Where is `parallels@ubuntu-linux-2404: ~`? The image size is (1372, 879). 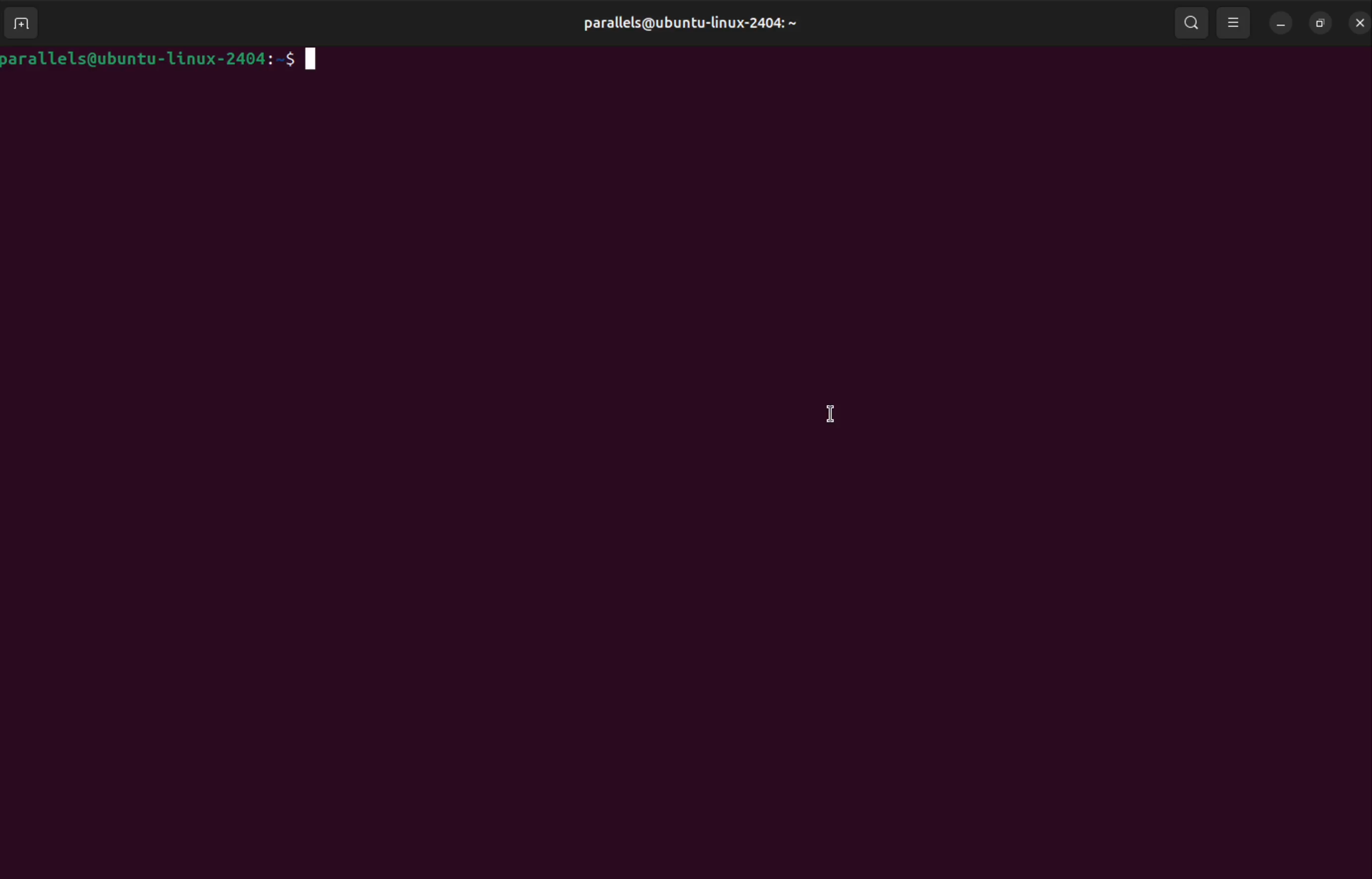
parallels@ubuntu-linux-2404: ~ is located at coordinates (687, 24).